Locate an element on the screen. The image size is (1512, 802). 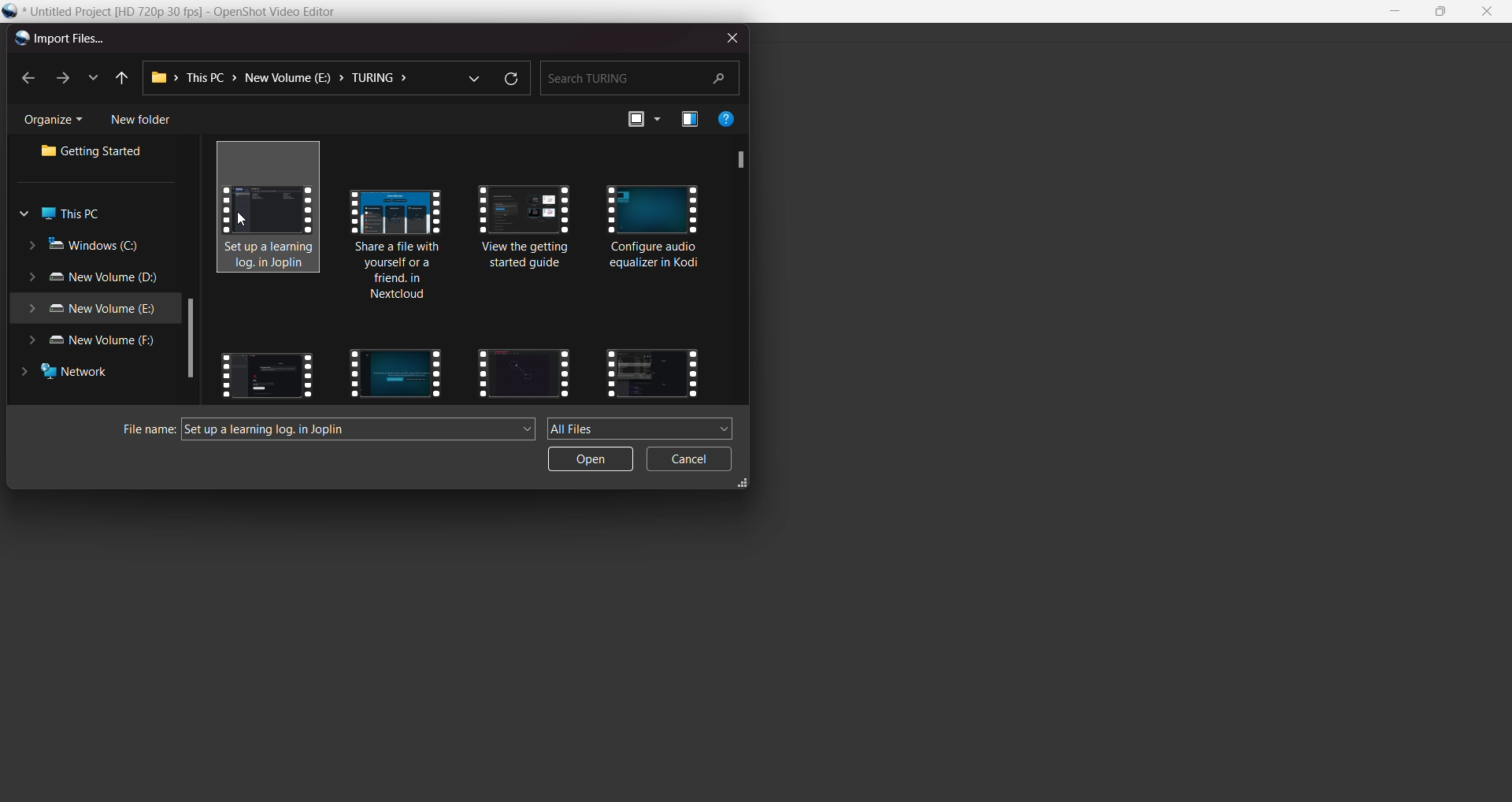
this pc is located at coordinates (65, 214).